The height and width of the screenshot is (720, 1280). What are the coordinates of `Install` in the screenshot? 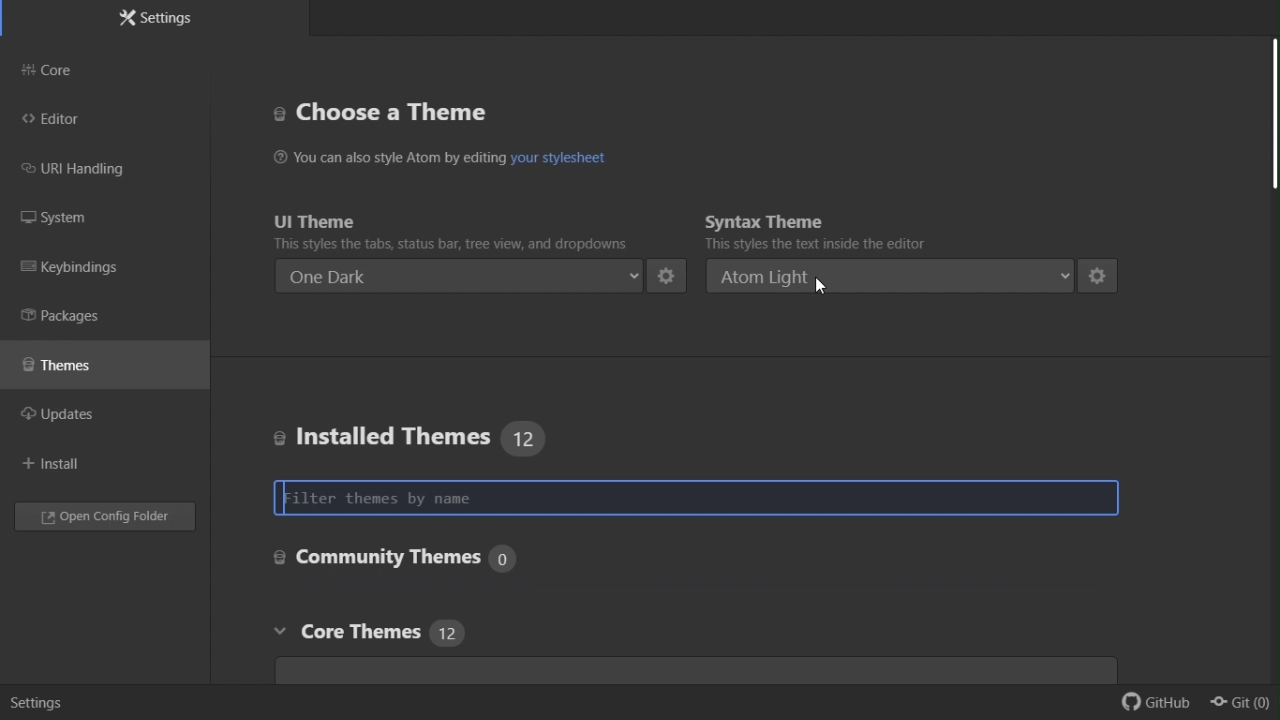 It's located at (66, 461).